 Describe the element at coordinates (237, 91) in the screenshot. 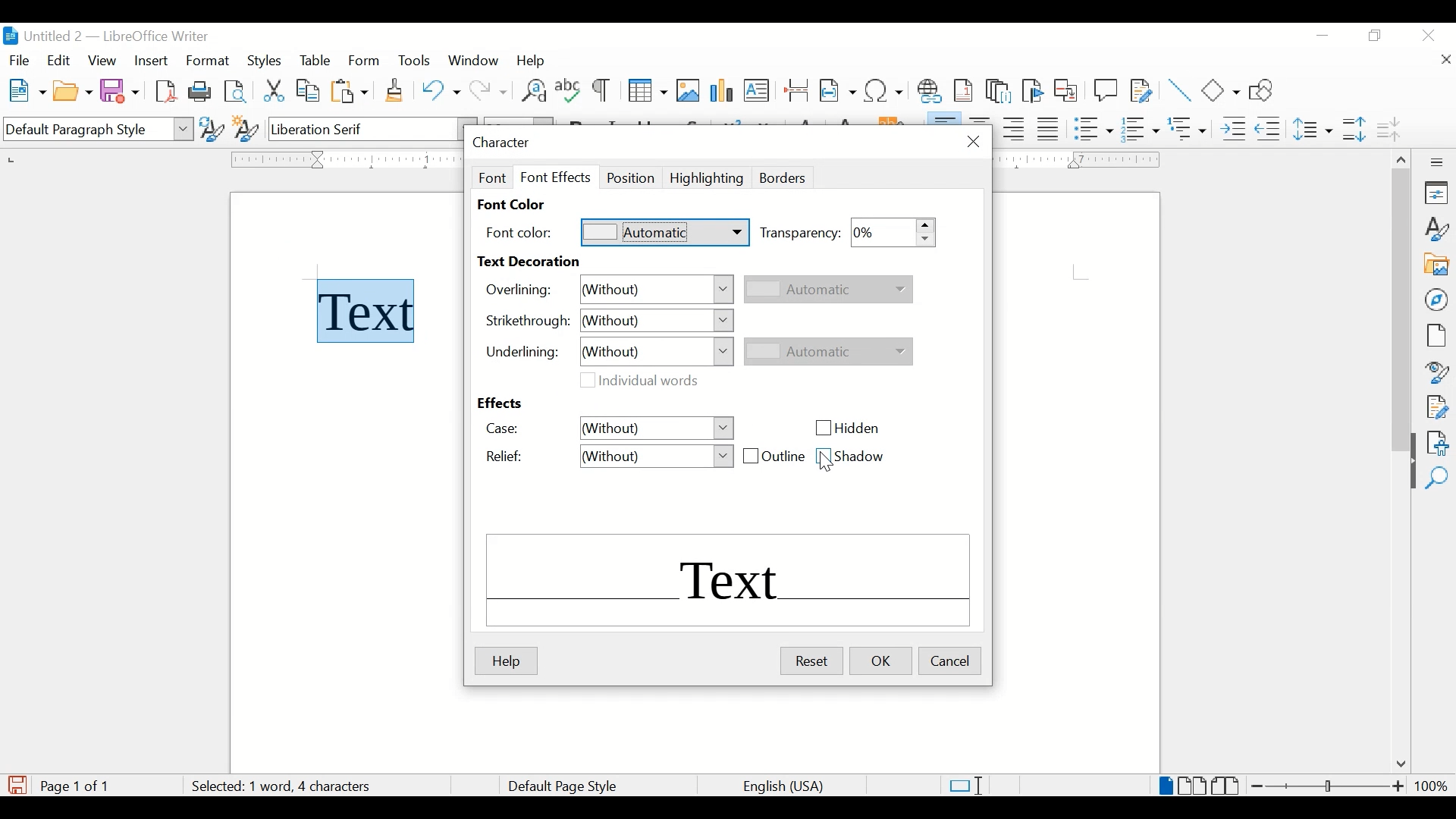

I see `toggle print preview` at that location.